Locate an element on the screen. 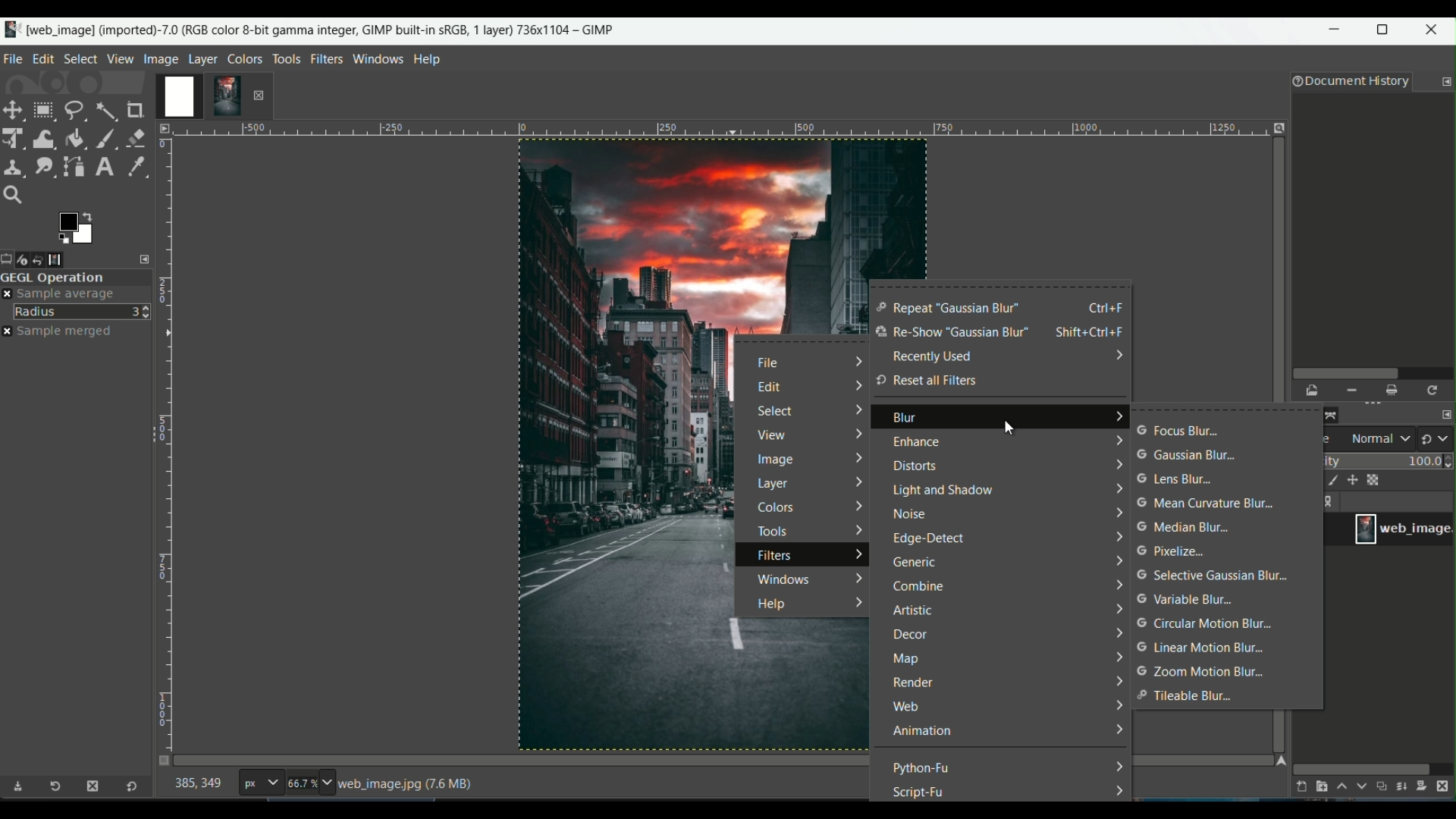 The image size is (1456, 819). scroll bar is located at coordinates (1362, 767).